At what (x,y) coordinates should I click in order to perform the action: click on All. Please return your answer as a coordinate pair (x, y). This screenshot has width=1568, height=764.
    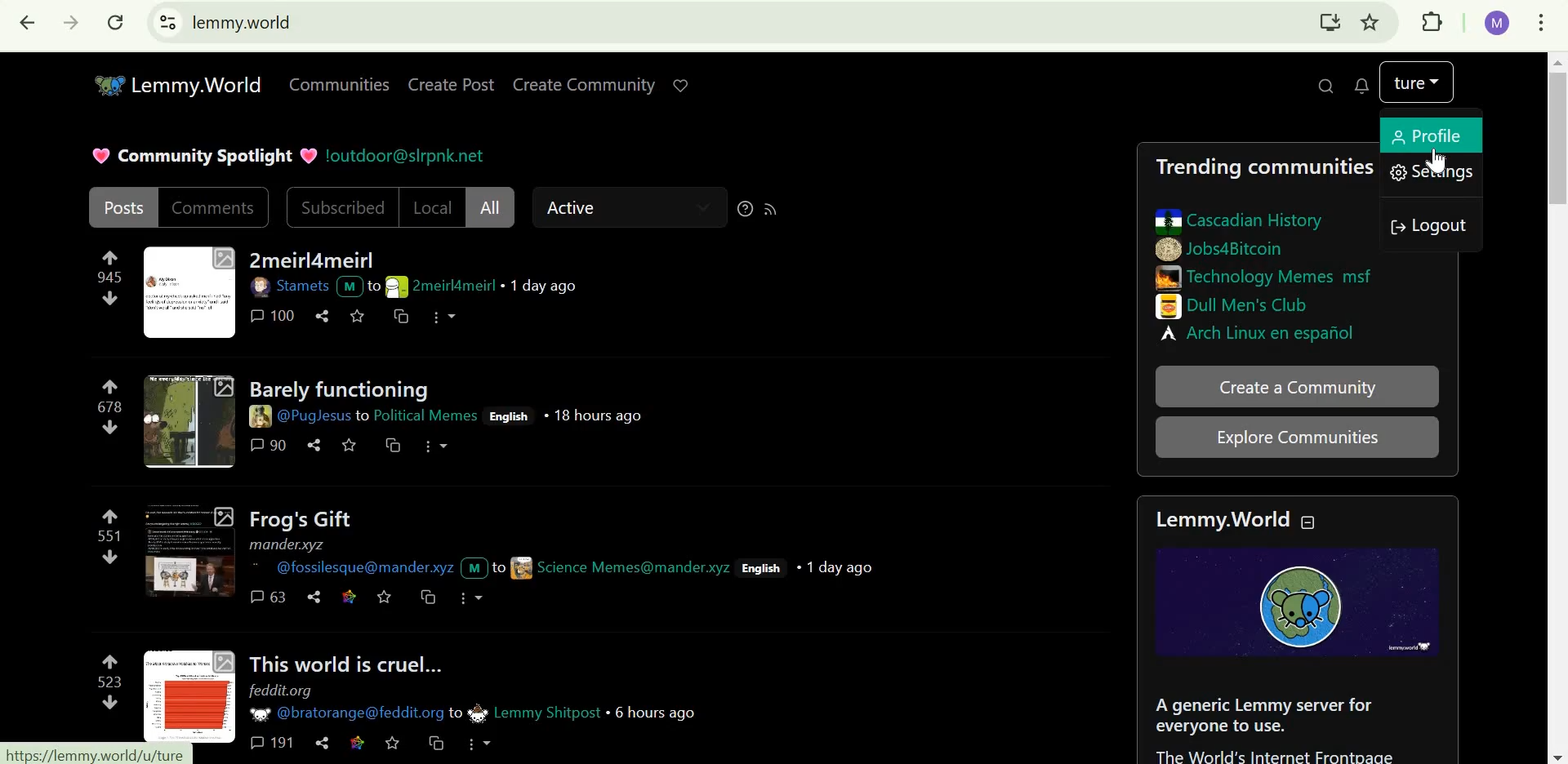
    Looking at the image, I should click on (490, 207).